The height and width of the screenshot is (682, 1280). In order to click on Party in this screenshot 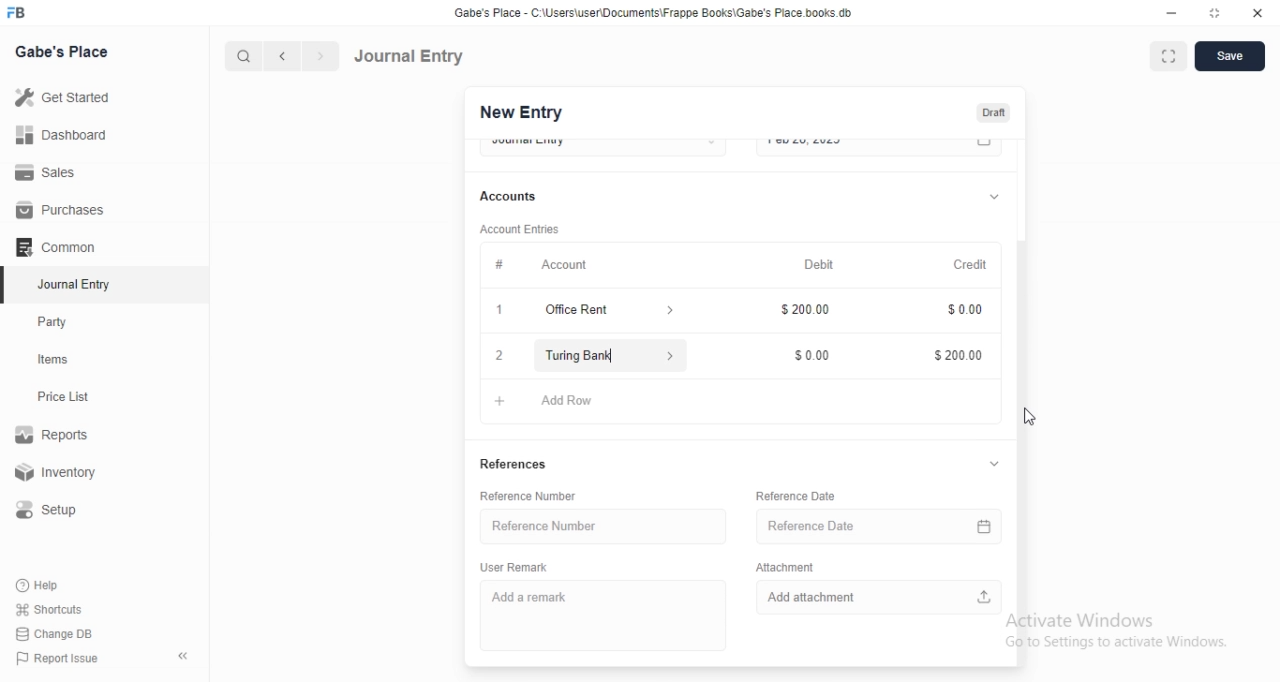, I will do `click(57, 322)`.